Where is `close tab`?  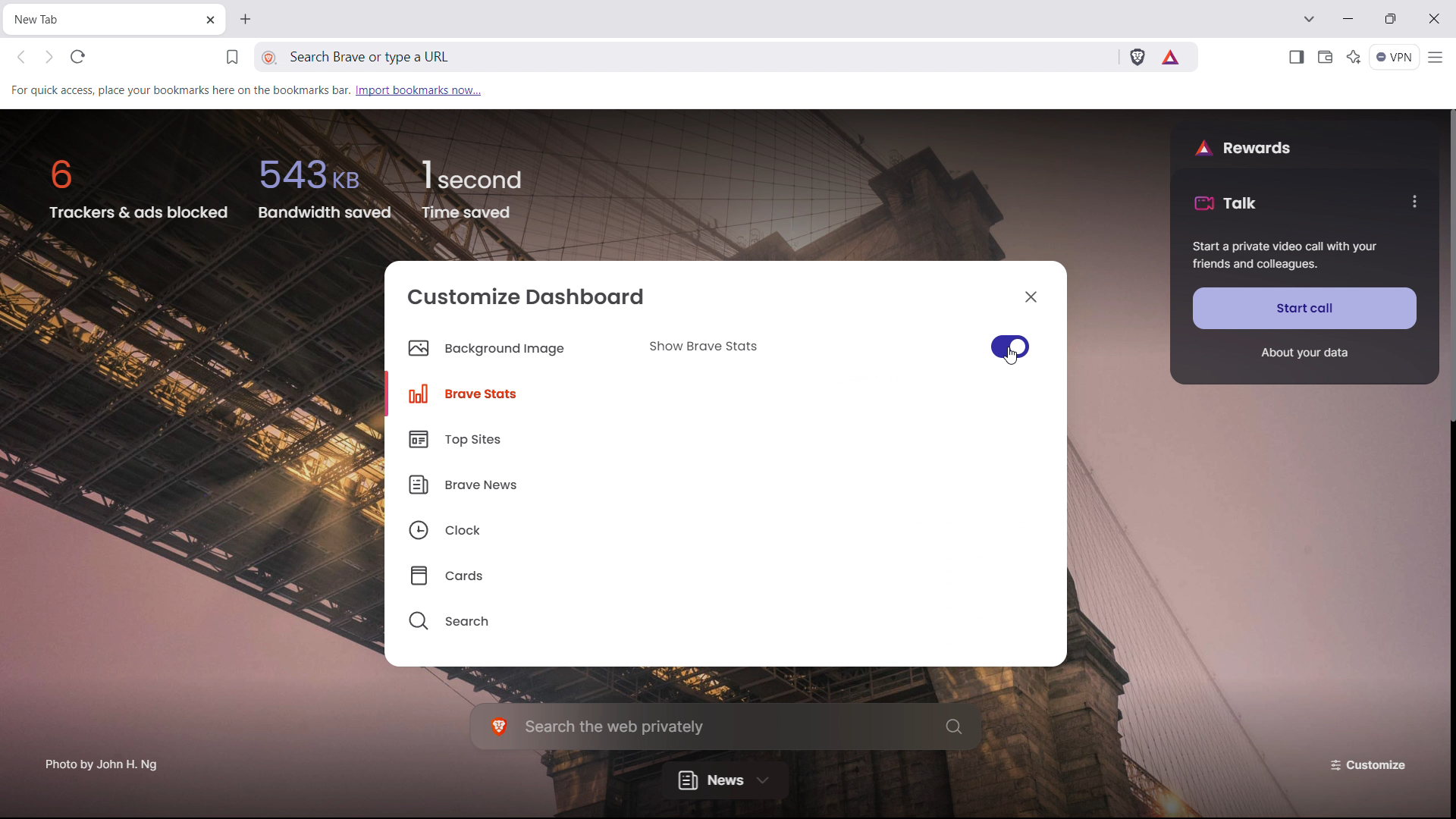
close tab is located at coordinates (209, 21).